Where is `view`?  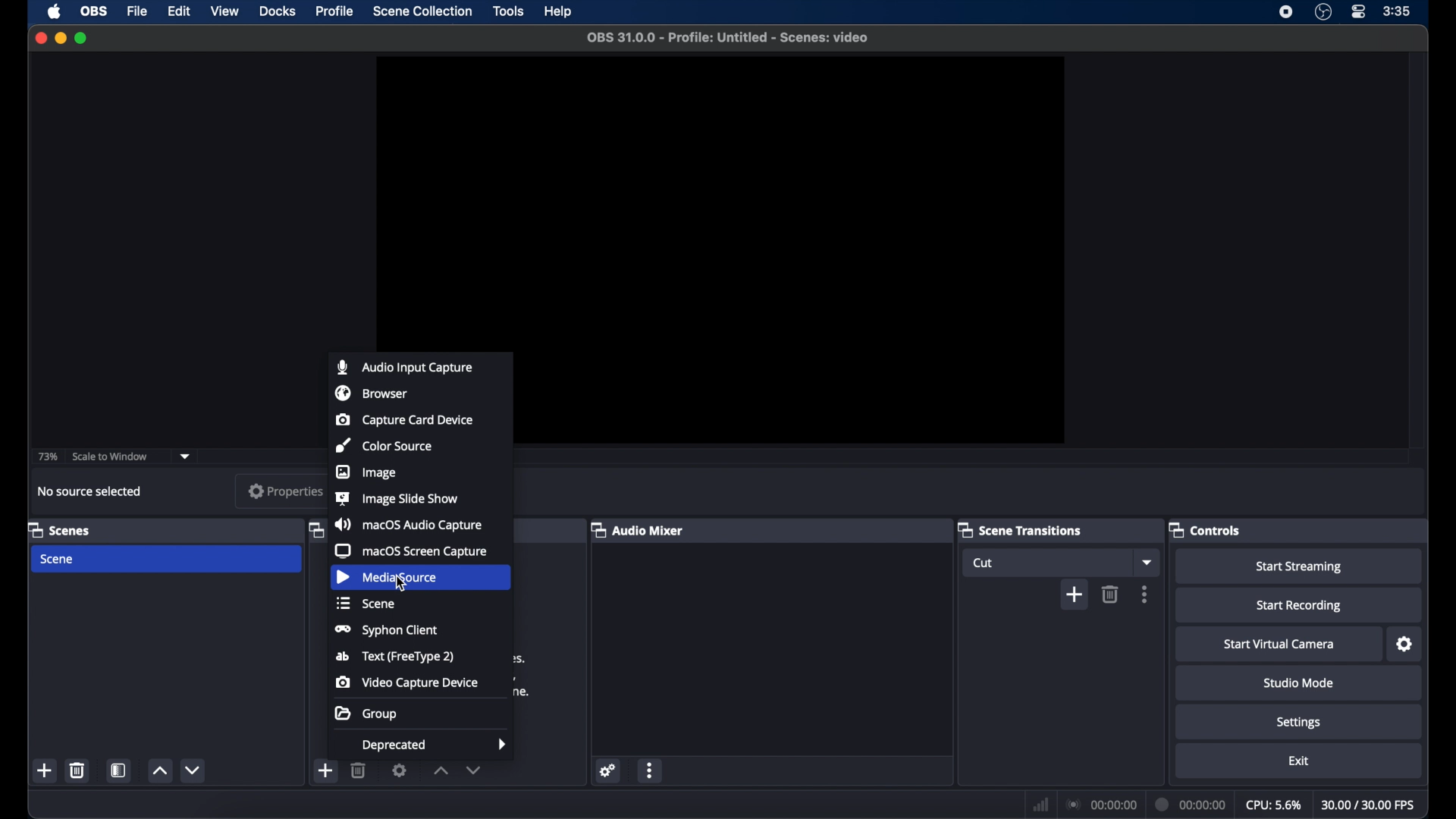 view is located at coordinates (226, 12).